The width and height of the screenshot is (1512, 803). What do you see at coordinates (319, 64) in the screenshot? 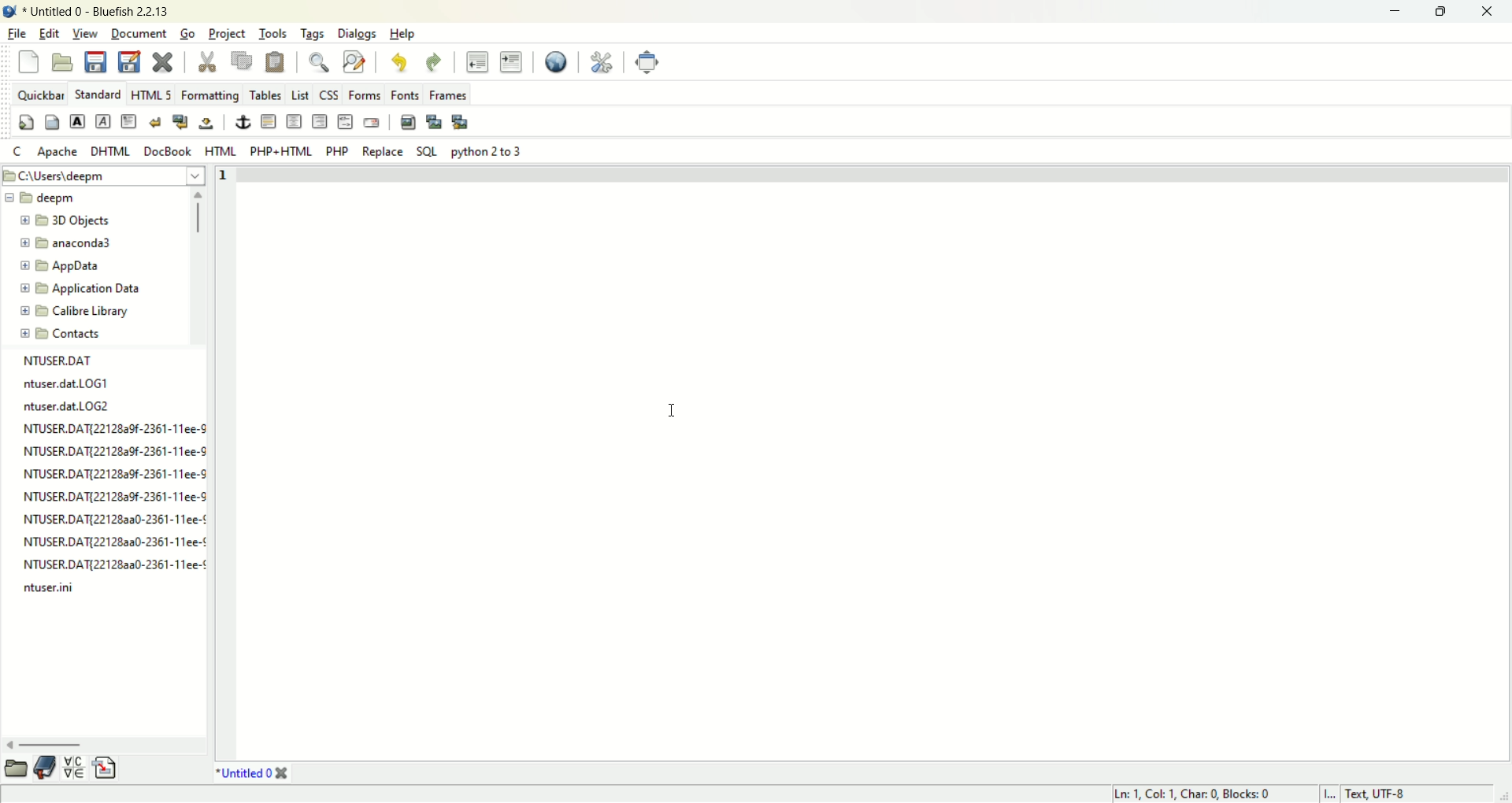
I see `find` at bounding box center [319, 64].